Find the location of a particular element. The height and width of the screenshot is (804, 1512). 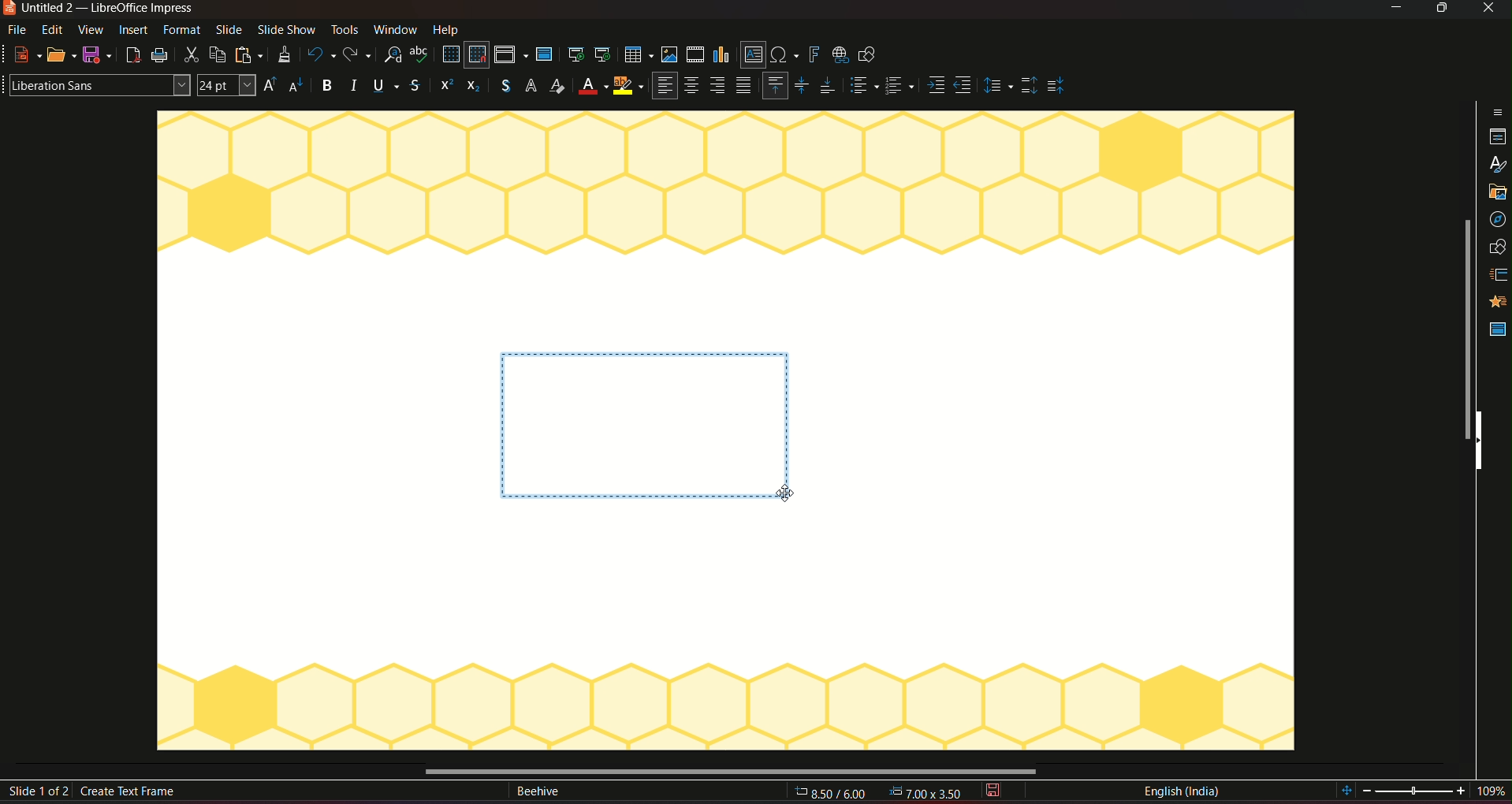

workspace is located at coordinates (724, 225).